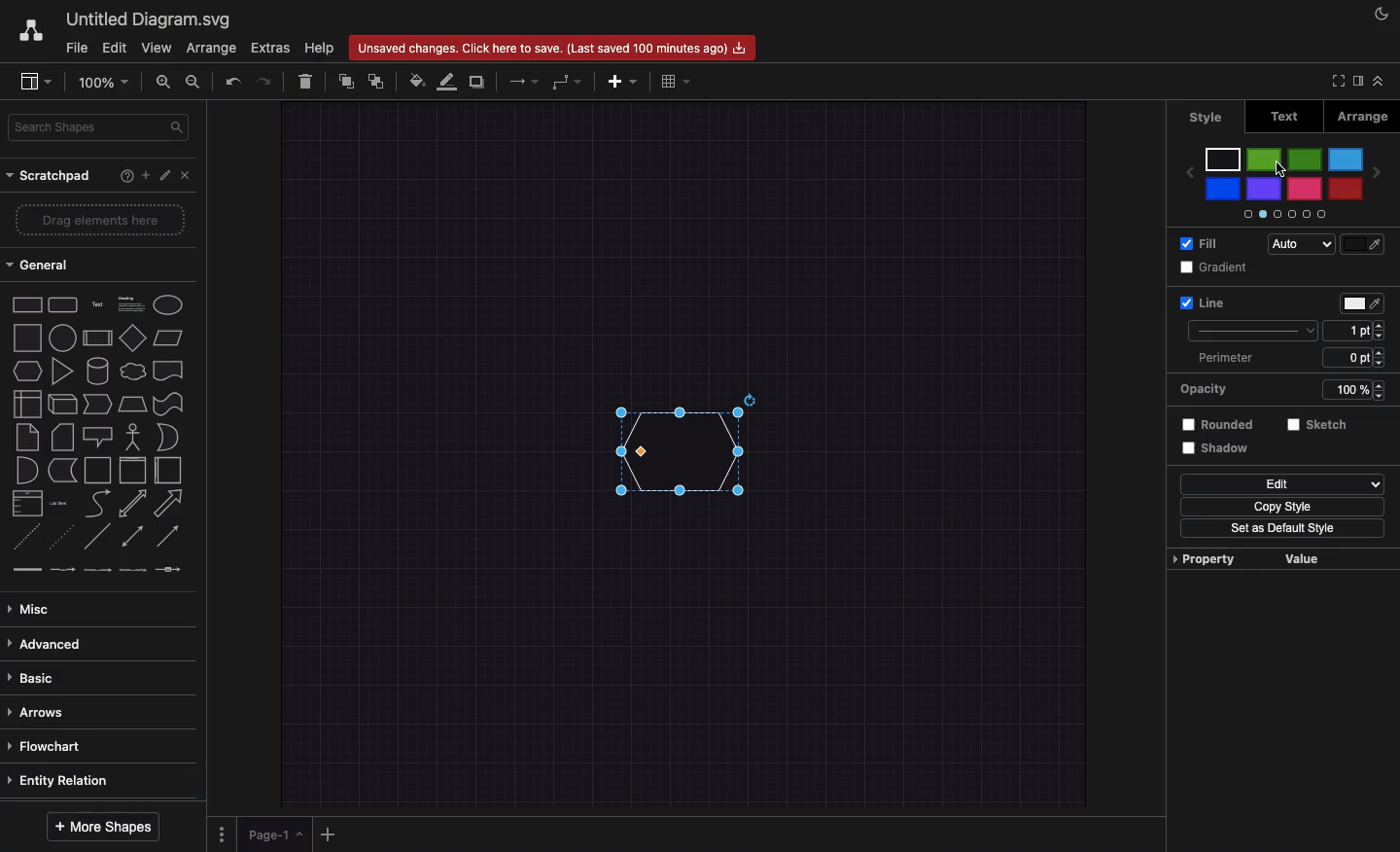 This screenshot has width=1400, height=852. Describe the element at coordinates (1292, 358) in the screenshot. I see `Perimeter ` at that location.